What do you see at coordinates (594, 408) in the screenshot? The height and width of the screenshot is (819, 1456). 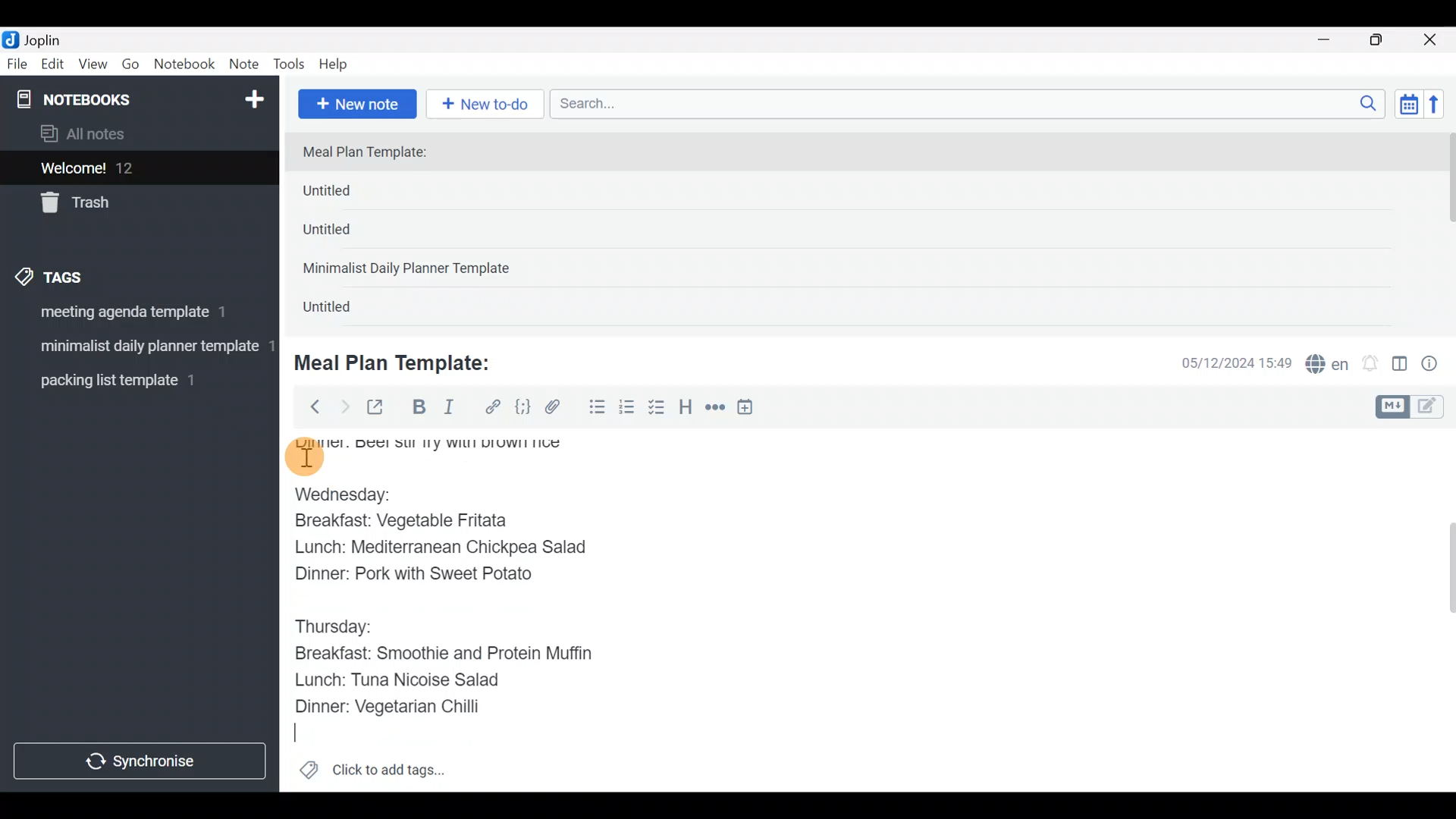 I see `Bulleted list` at bounding box center [594, 408].